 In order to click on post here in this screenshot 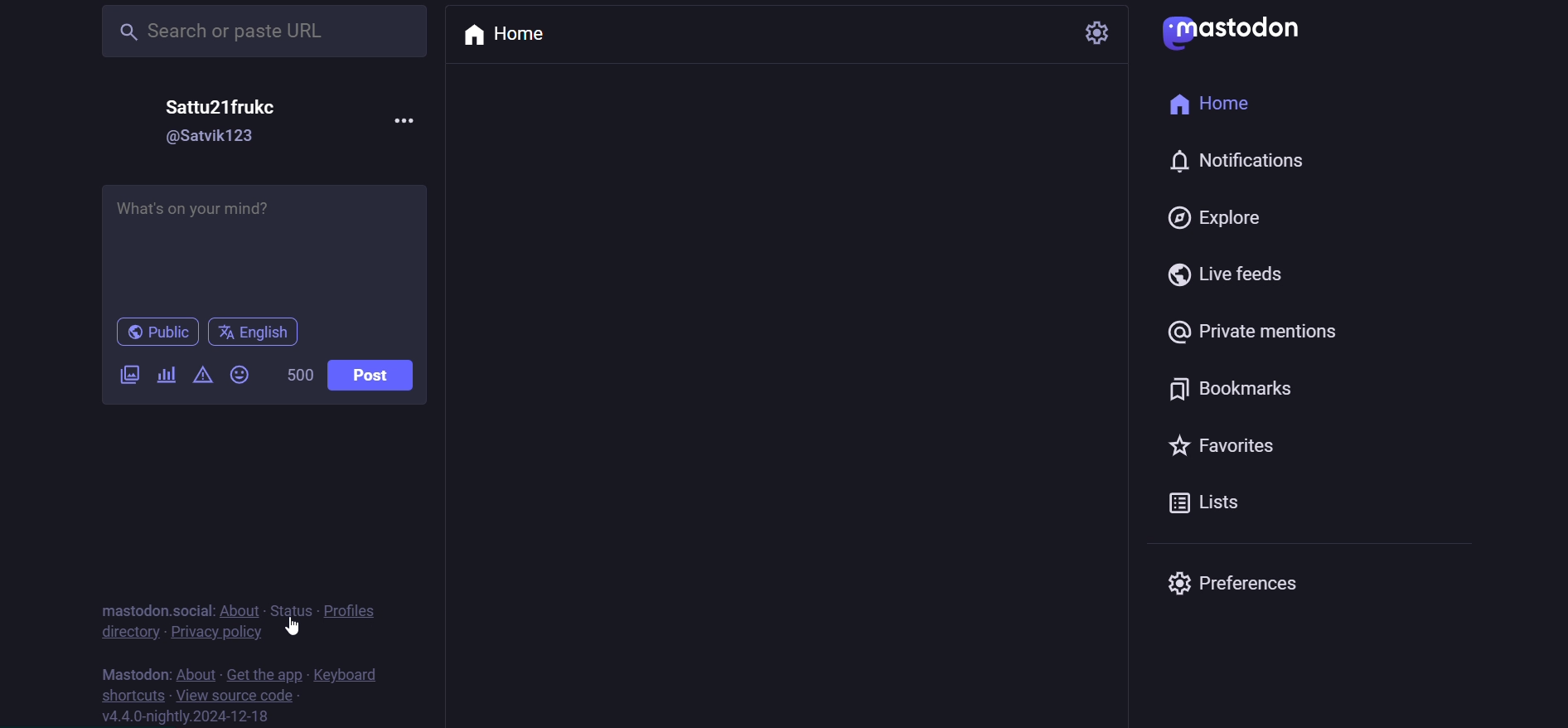, I will do `click(264, 242)`.